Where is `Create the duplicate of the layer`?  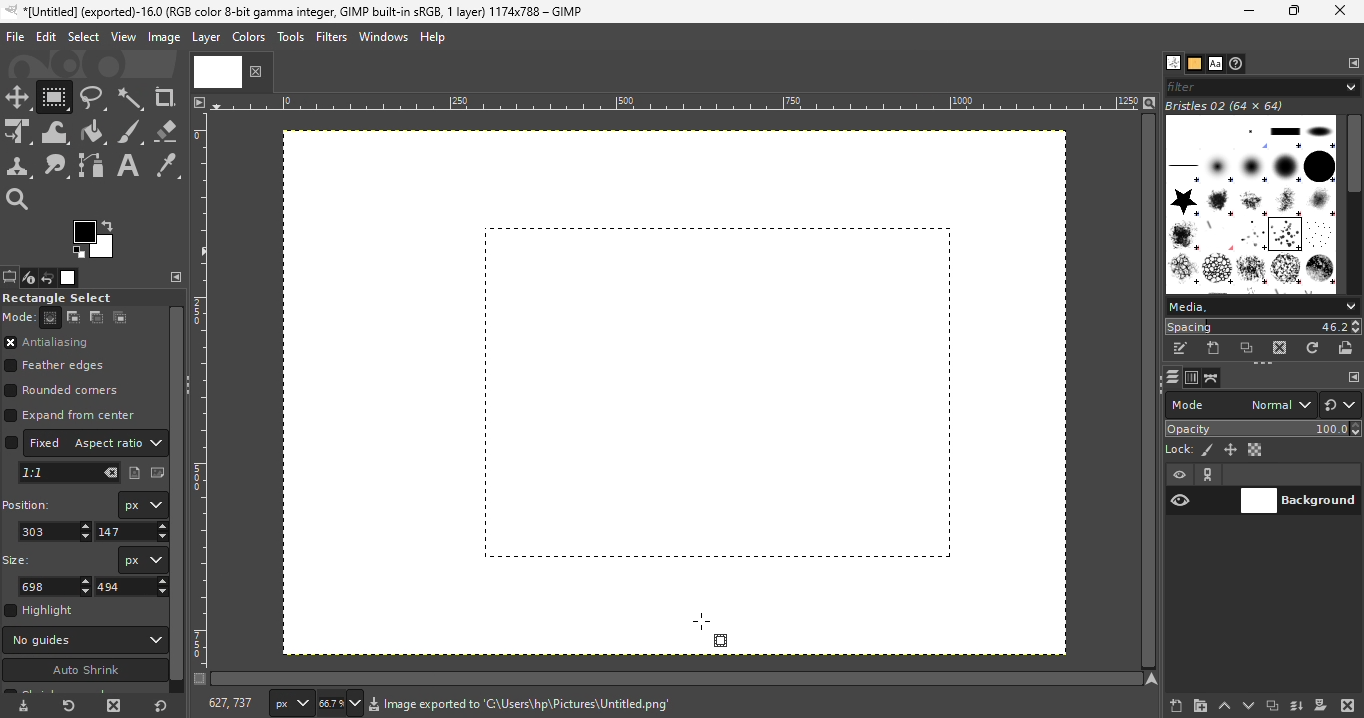
Create the duplicate of the layer is located at coordinates (1272, 707).